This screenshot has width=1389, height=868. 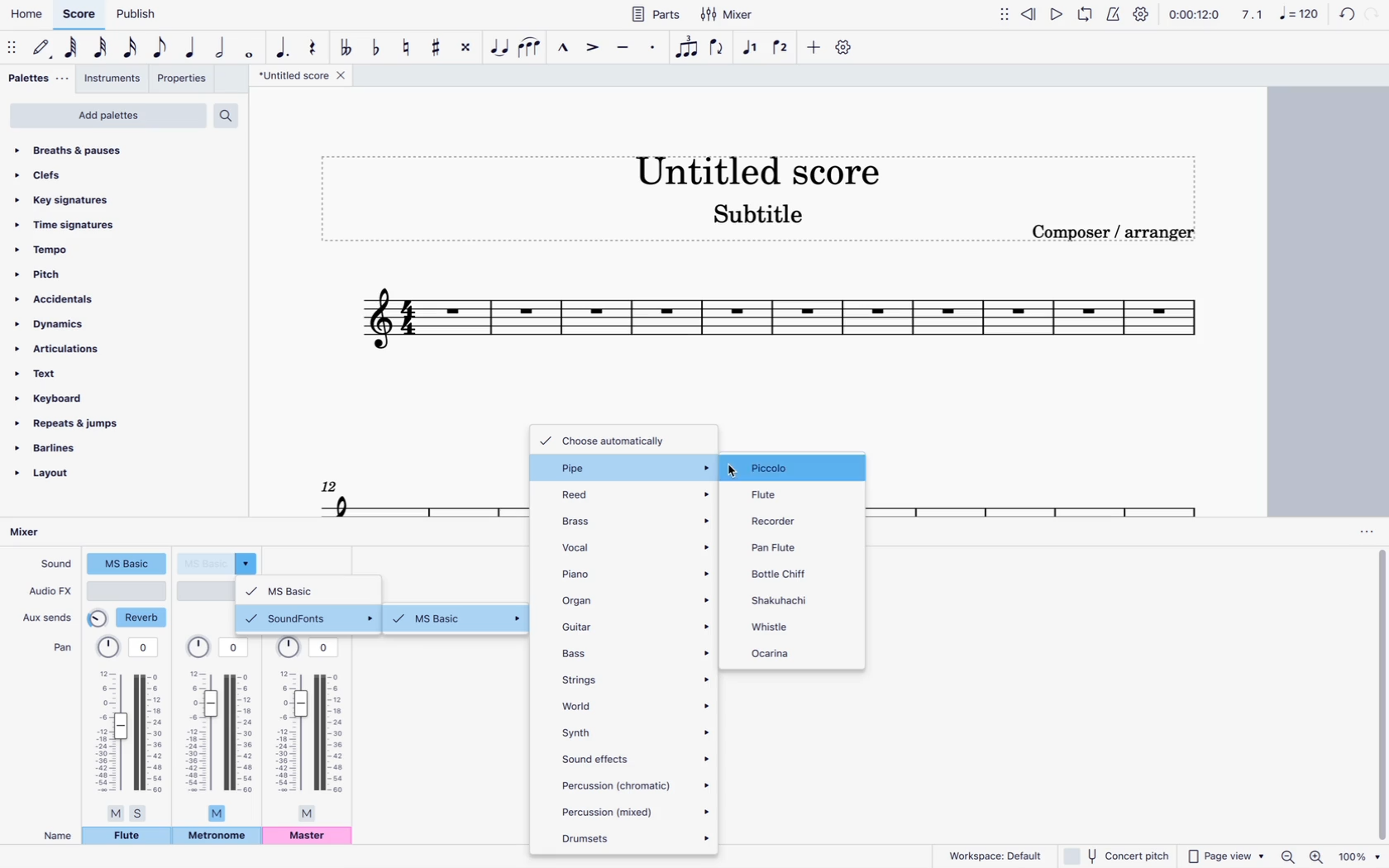 I want to click on sound type, so click(x=126, y=565).